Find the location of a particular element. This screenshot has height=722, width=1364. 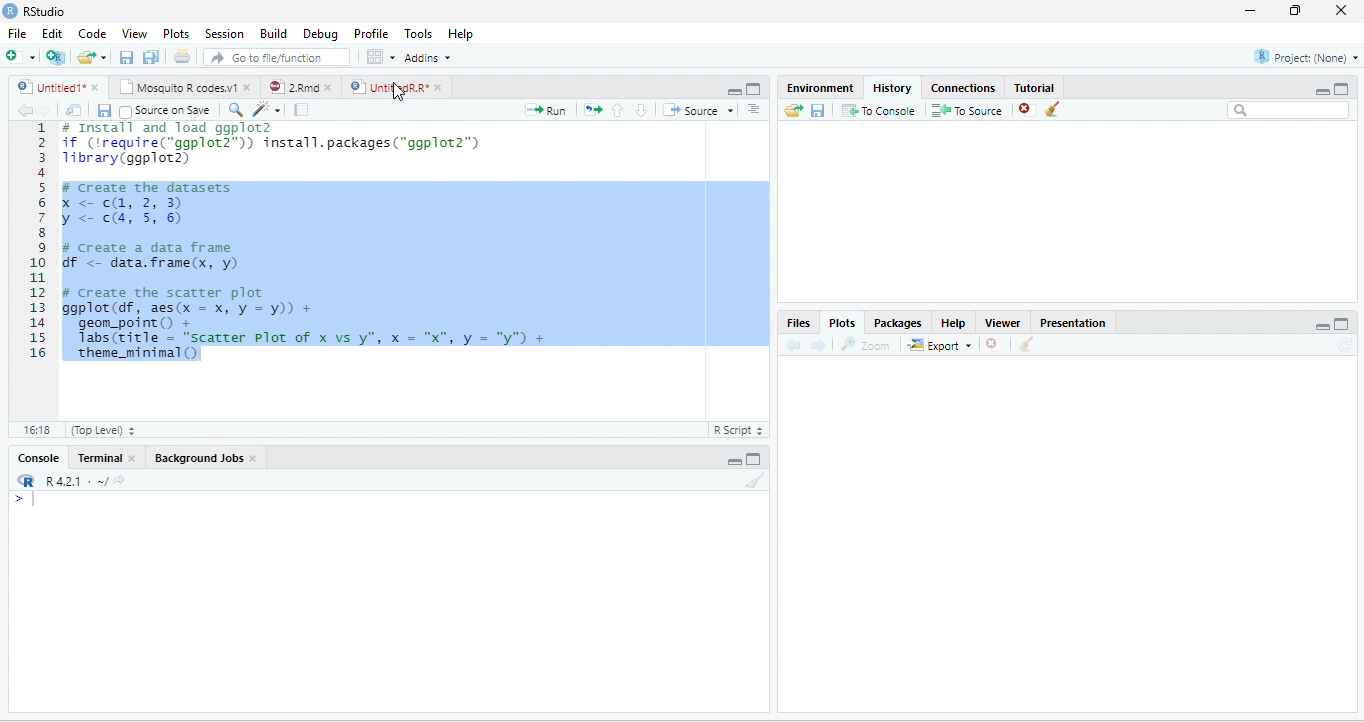

Viewer is located at coordinates (1004, 322).